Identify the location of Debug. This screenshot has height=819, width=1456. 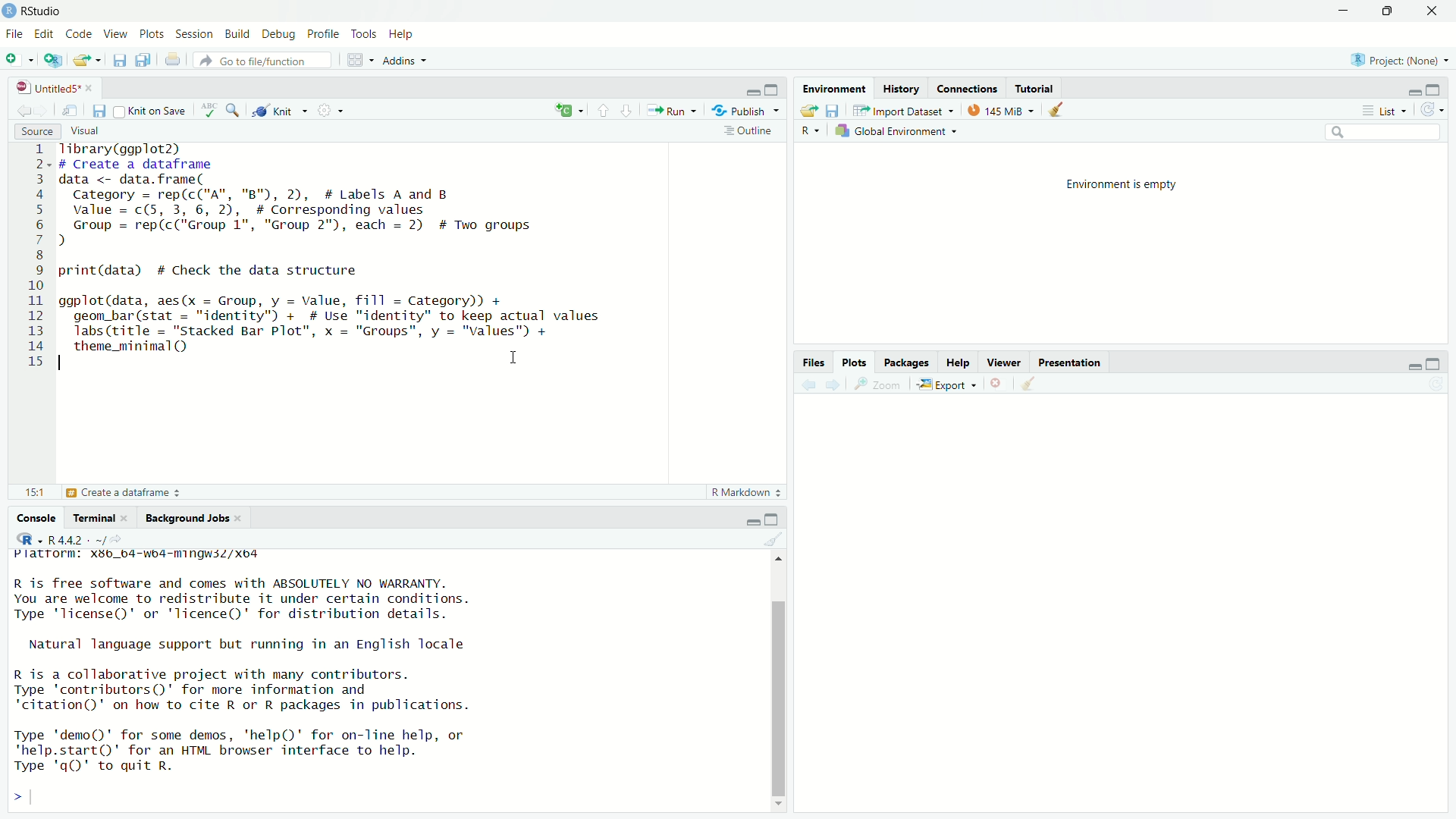
(278, 33).